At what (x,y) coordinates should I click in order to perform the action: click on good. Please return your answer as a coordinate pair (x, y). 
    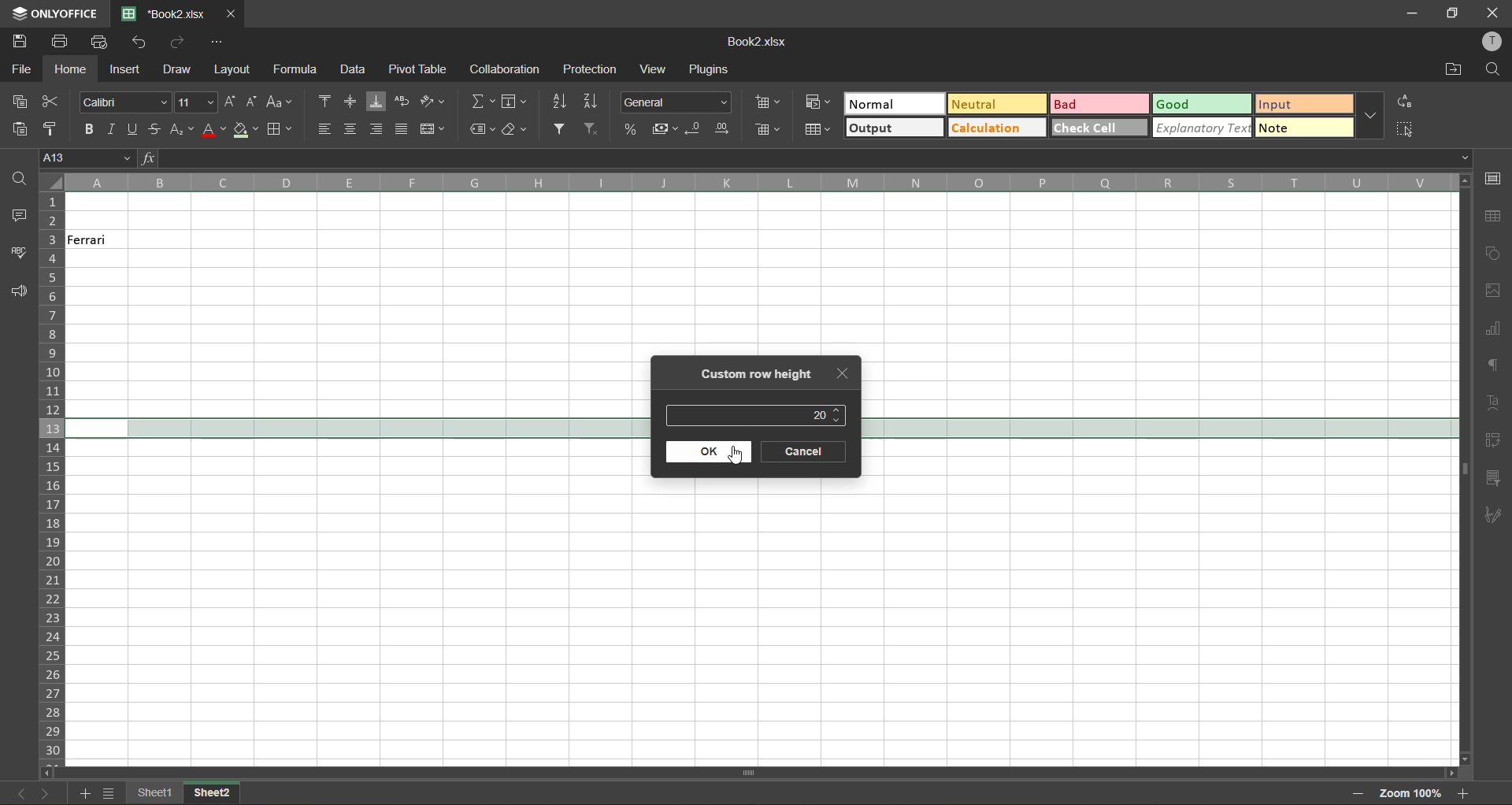
    Looking at the image, I should click on (1200, 105).